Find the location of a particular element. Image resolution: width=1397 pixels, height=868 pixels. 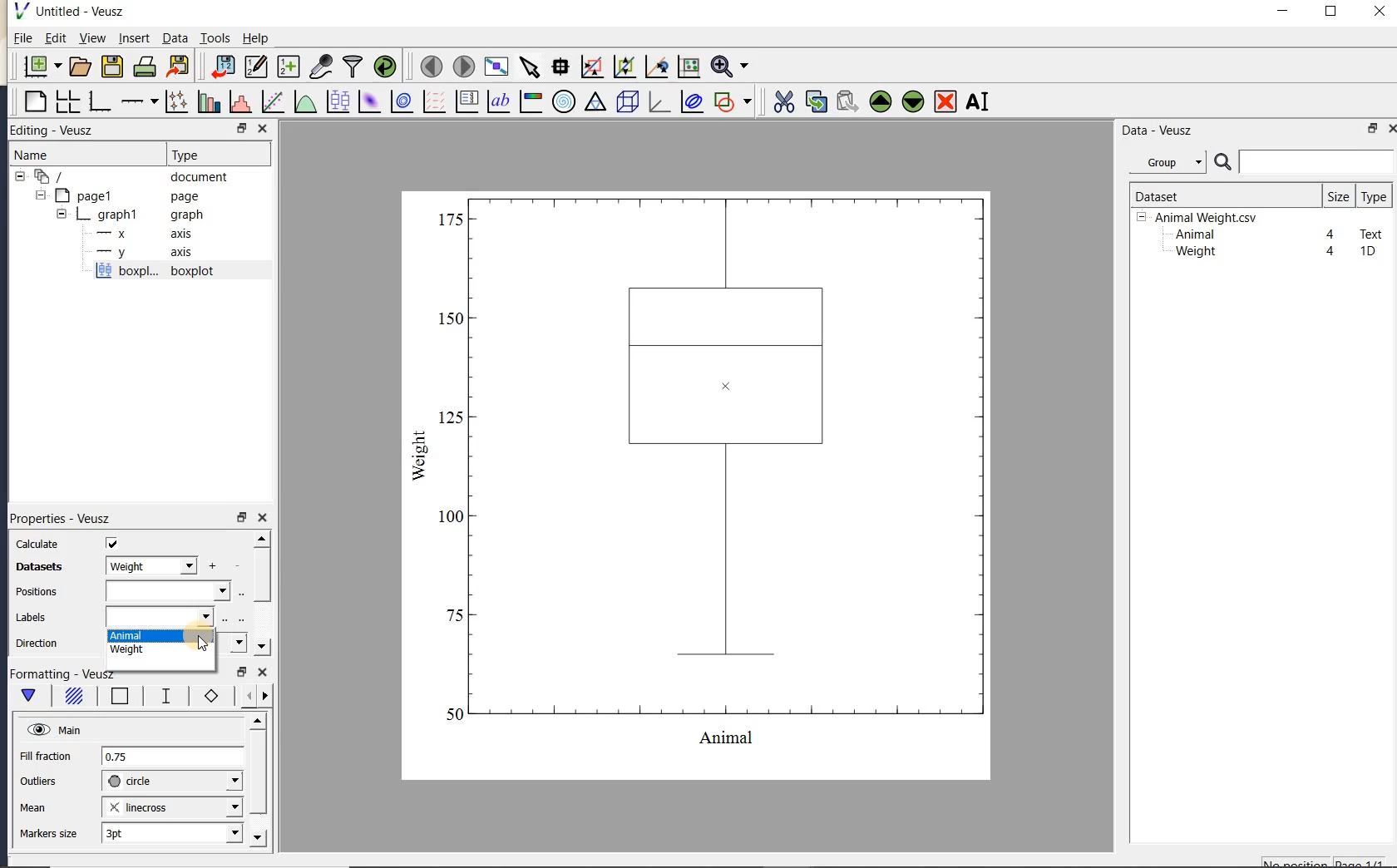

animal is located at coordinates (160, 637).